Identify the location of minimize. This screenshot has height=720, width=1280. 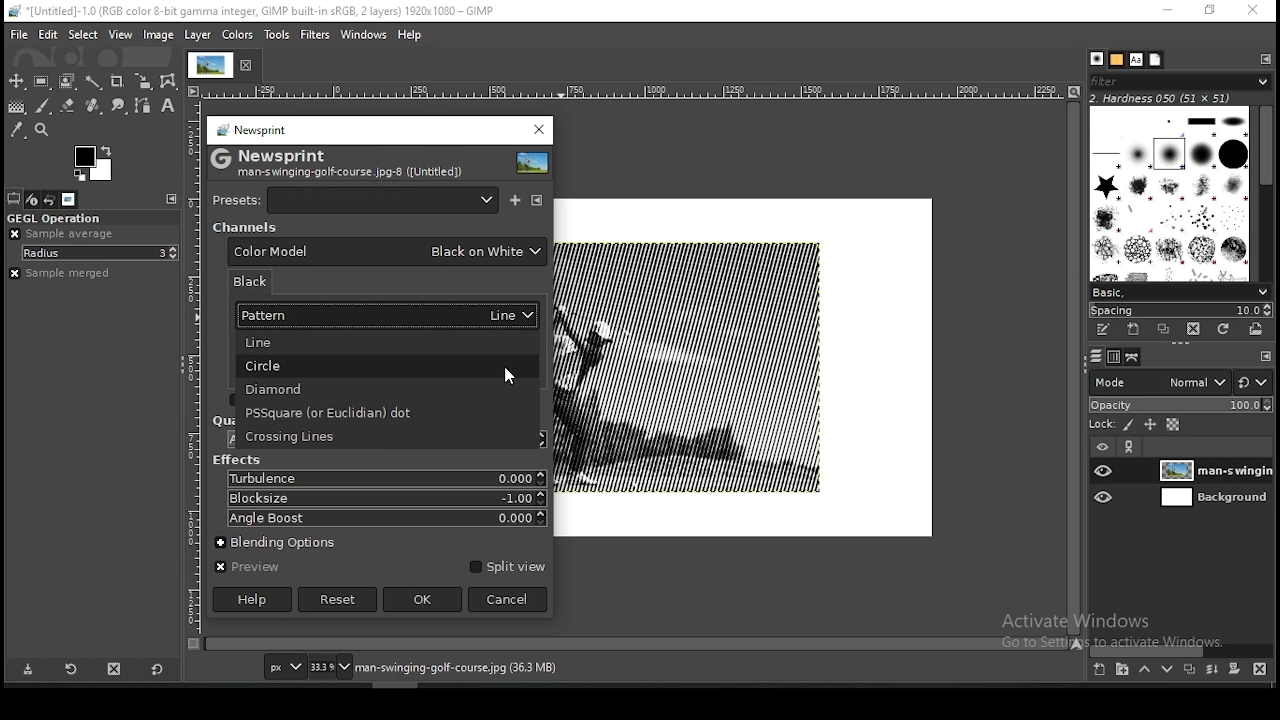
(1169, 11).